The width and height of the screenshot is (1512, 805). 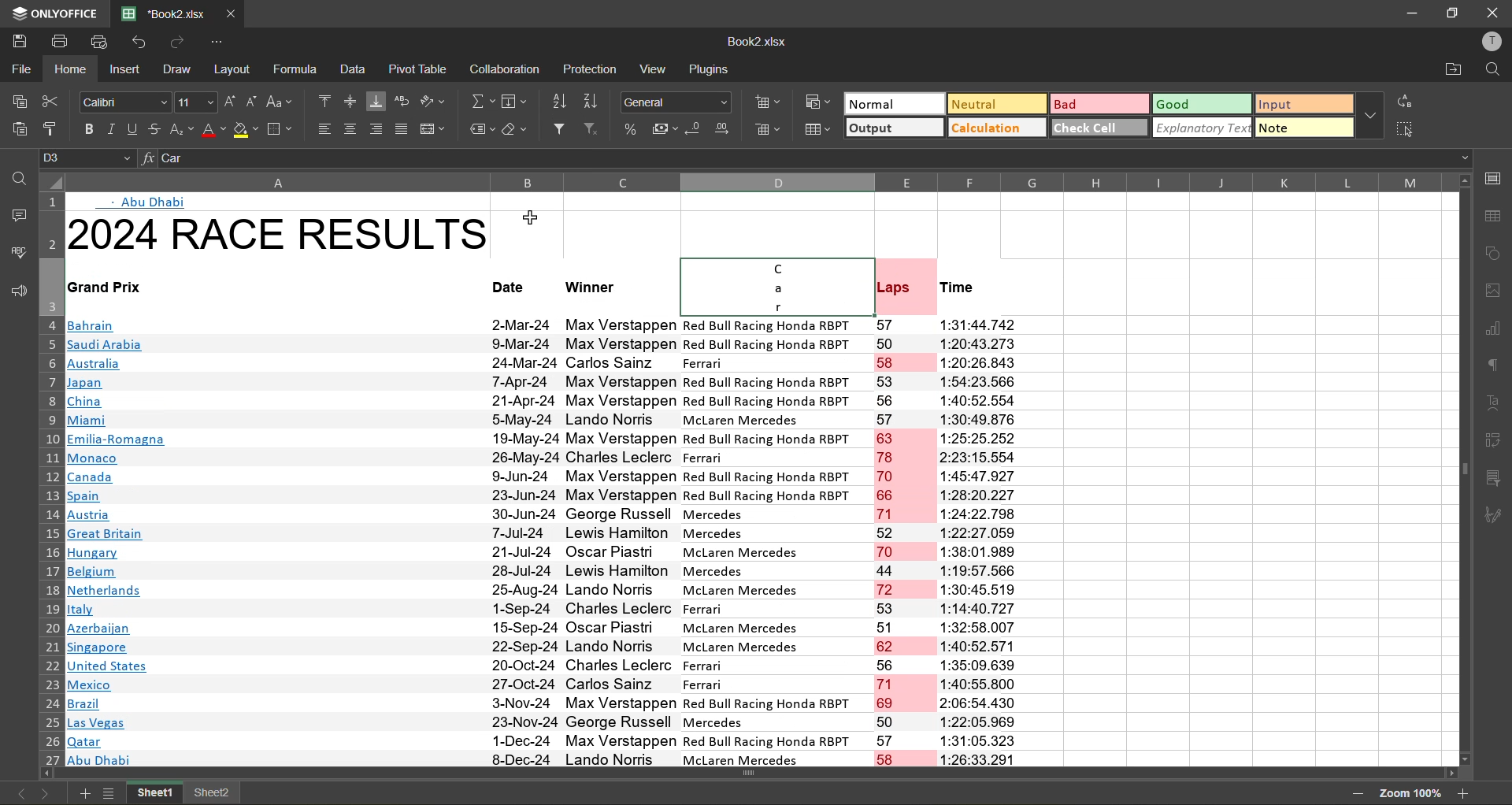 What do you see at coordinates (997, 105) in the screenshot?
I see `neutral` at bounding box center [997, 105].